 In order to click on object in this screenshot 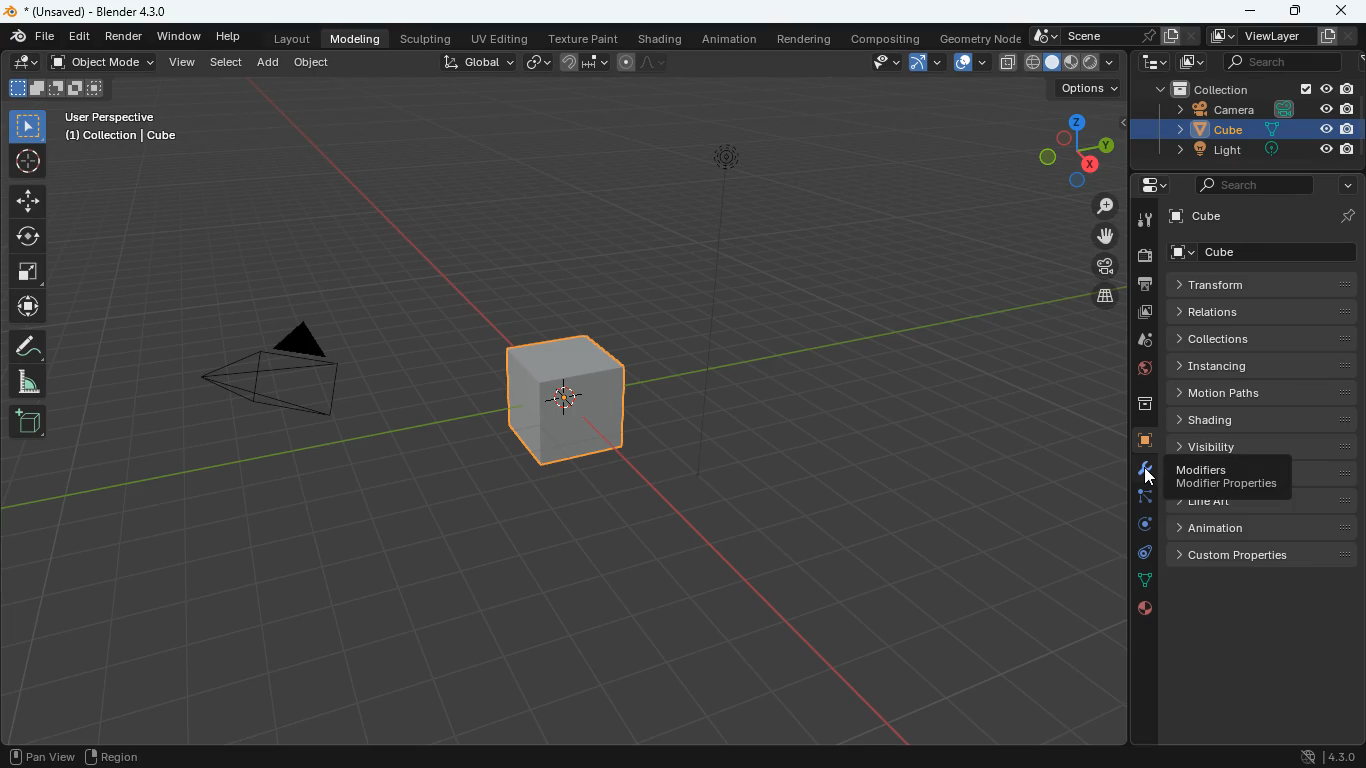, I will do `click(314, 65)`.